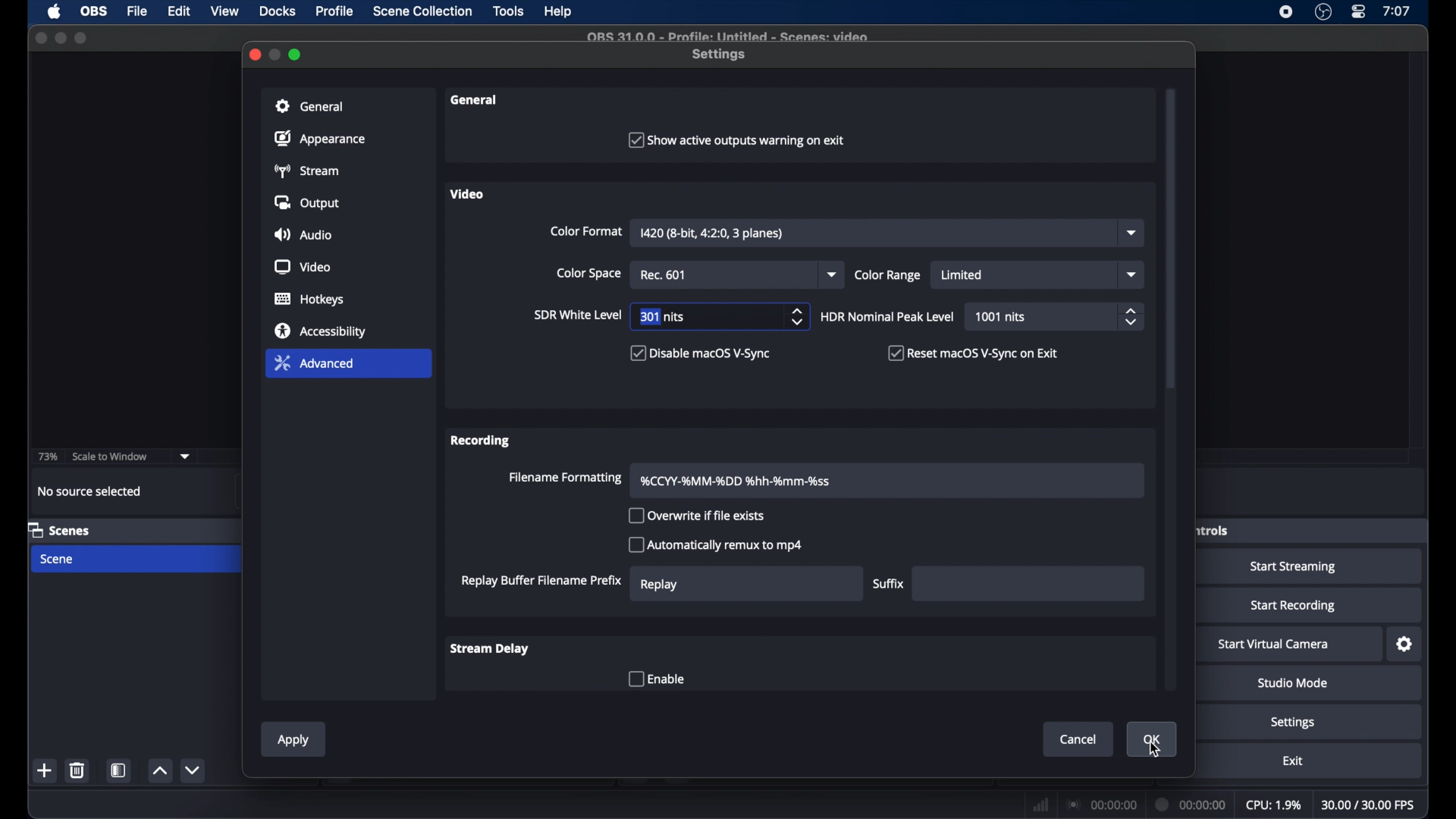 The image size is (1456, 819). I want to click on dropdown, so click(833, 275).